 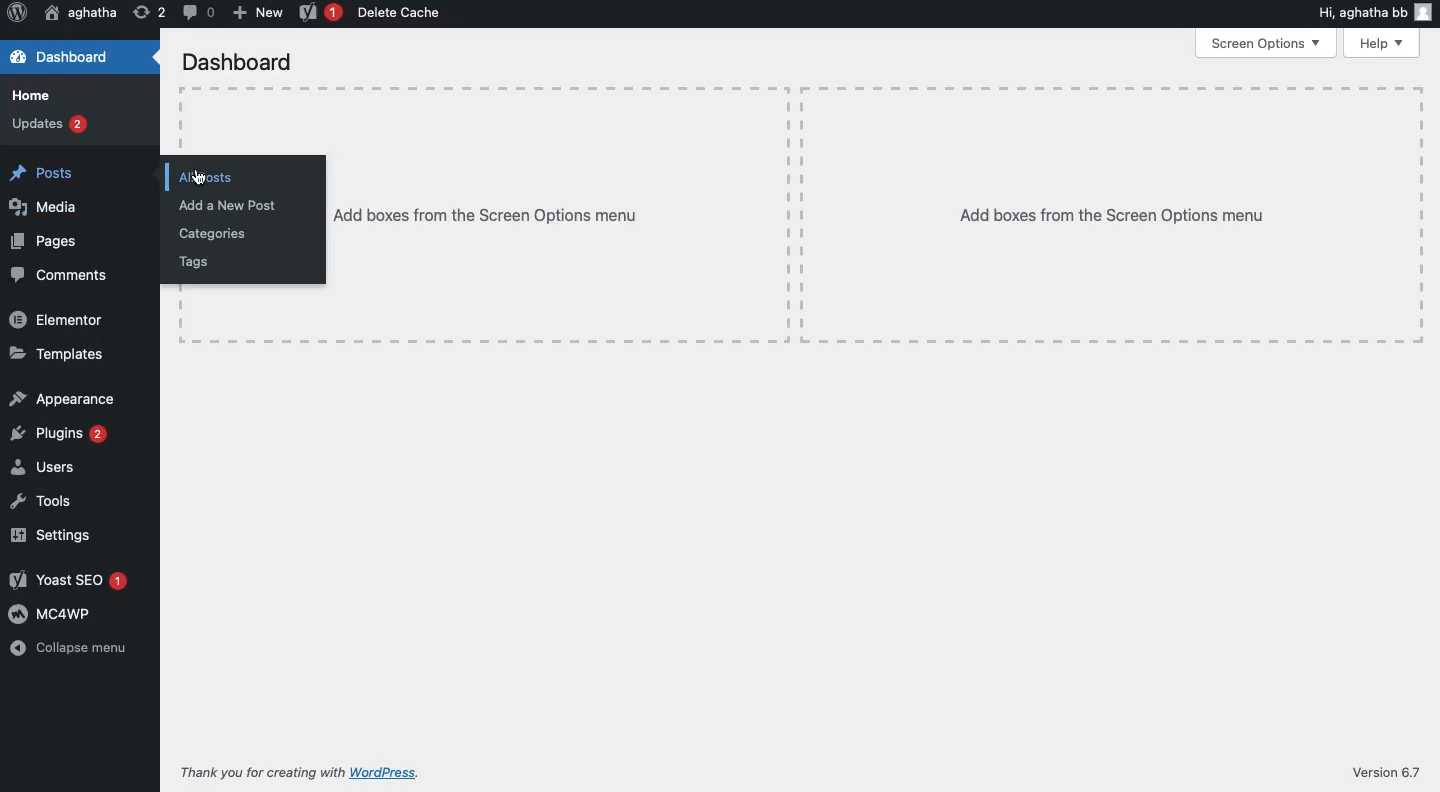 I want to click on Templates, so click(x=58, y=355).